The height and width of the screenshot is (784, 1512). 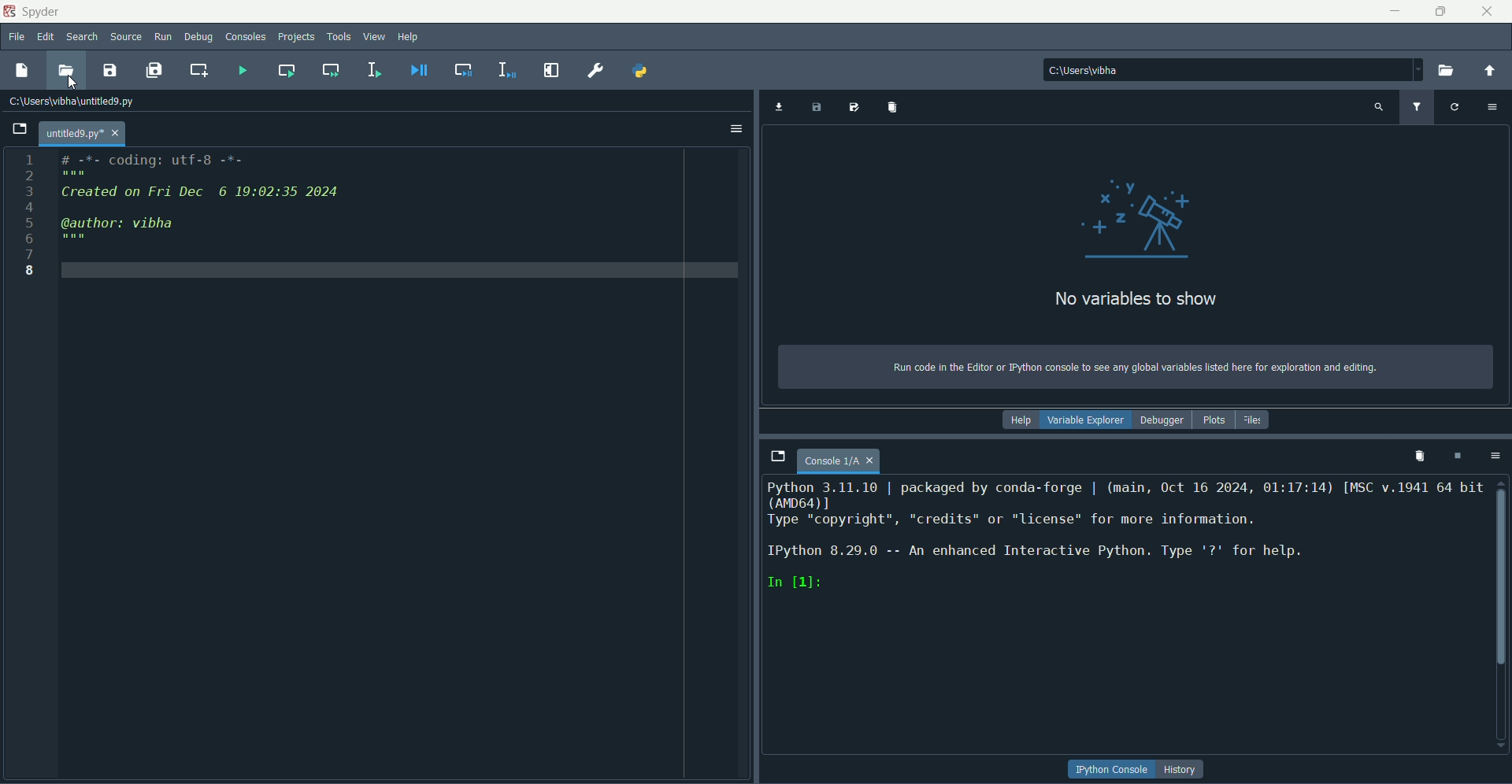 What do you see at coordinates (17, 37) in the screenshot?
I see `file` at bounding box center [17, 37].